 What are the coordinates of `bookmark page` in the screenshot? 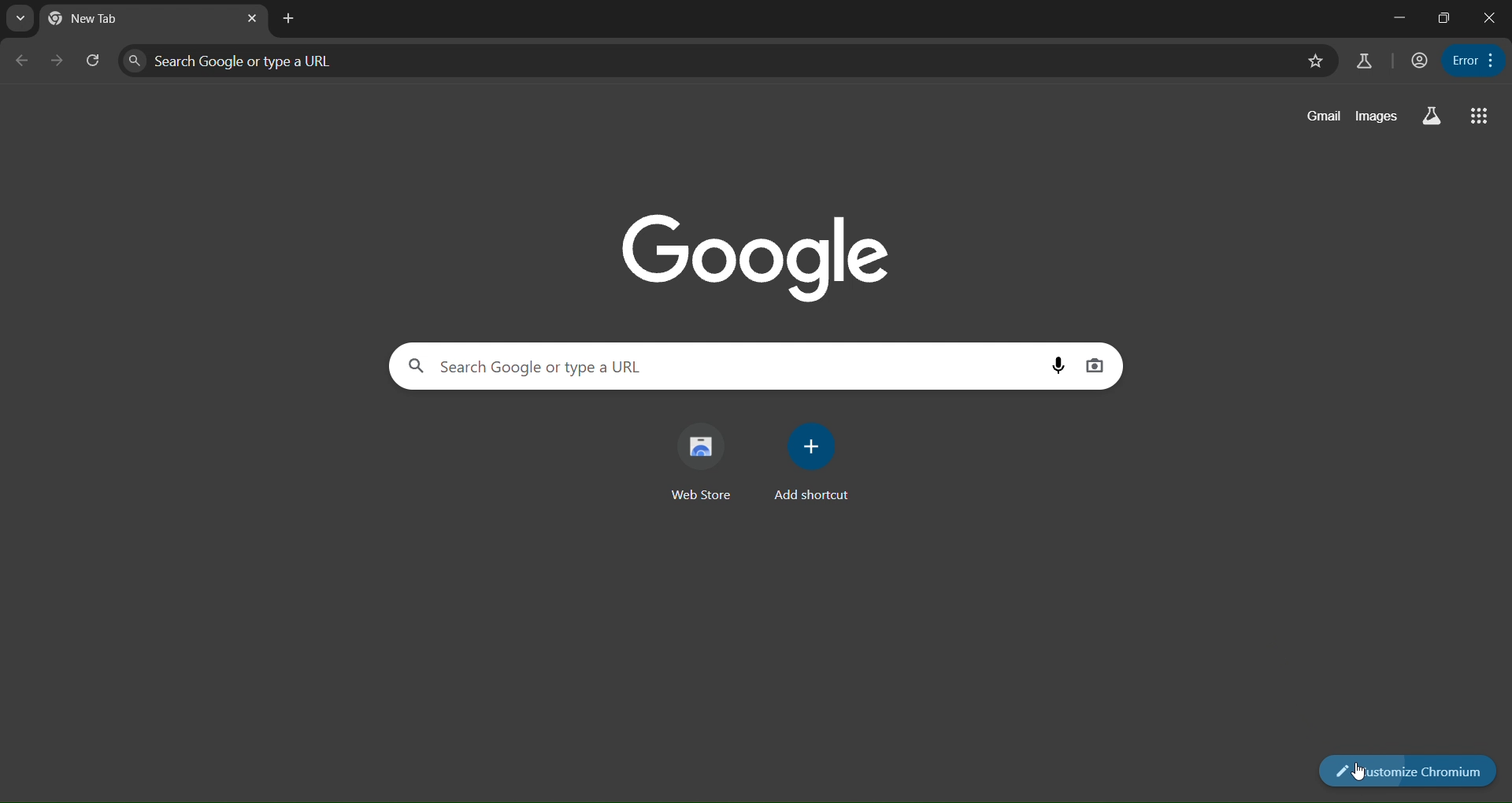 It's located at (1317, 61).